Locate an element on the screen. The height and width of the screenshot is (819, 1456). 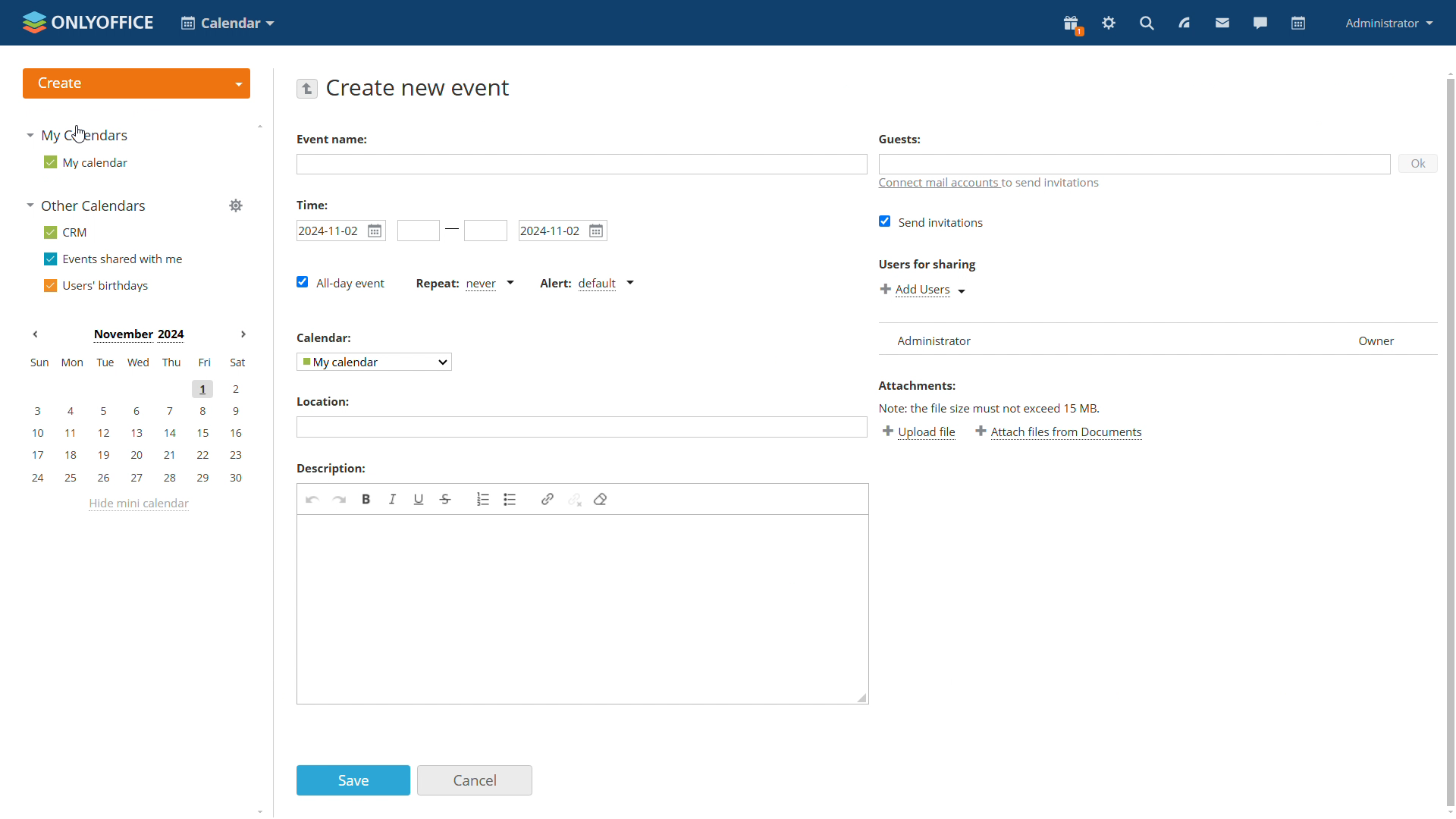
Users for sharing is located at coordinates (925, 262).